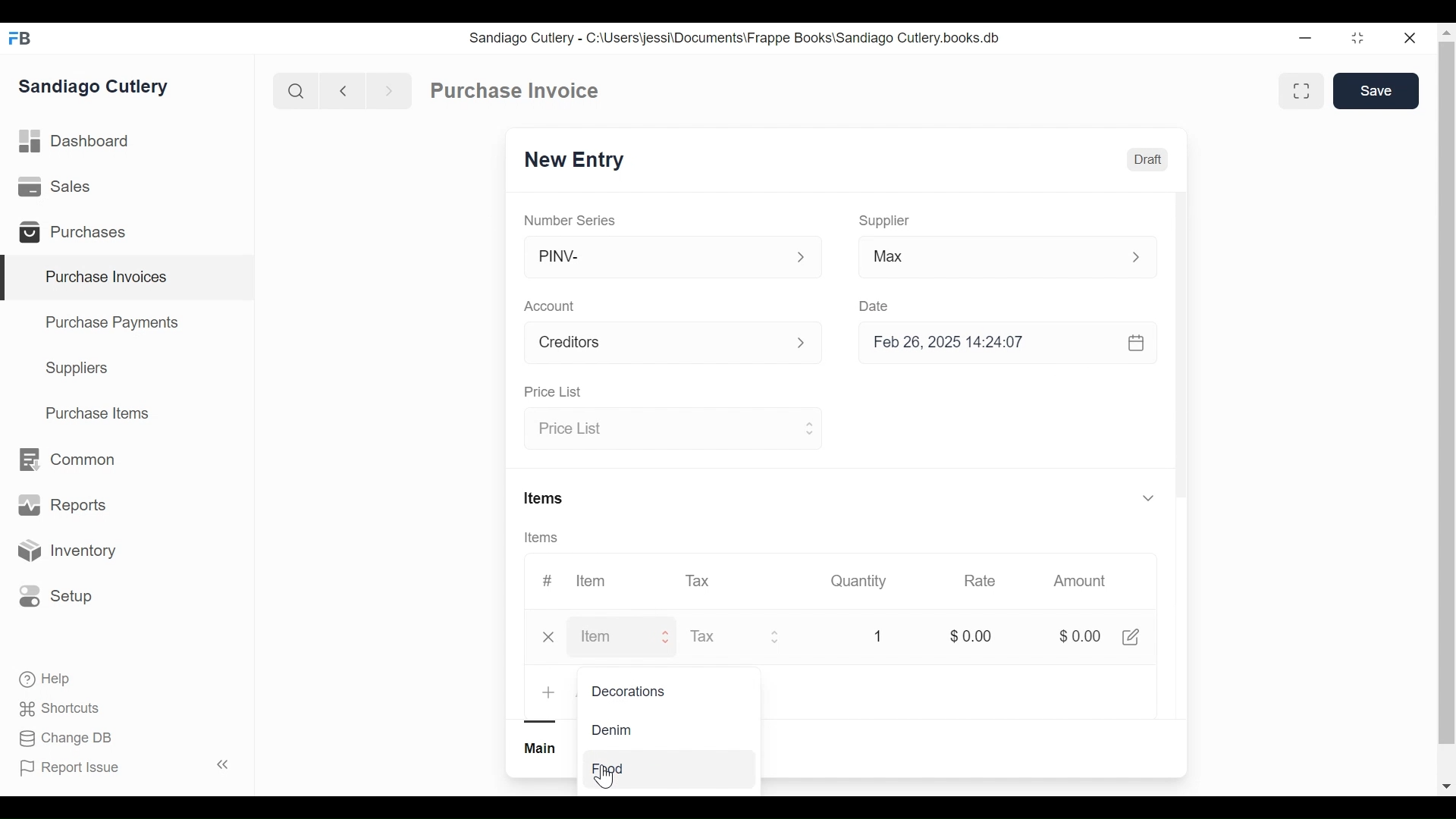 This screenshot has width=1456, height=819. What do you see at coordinates (1446, 786) in the screenshot?
I see `scroll down` at bounding box center [1446, 786].